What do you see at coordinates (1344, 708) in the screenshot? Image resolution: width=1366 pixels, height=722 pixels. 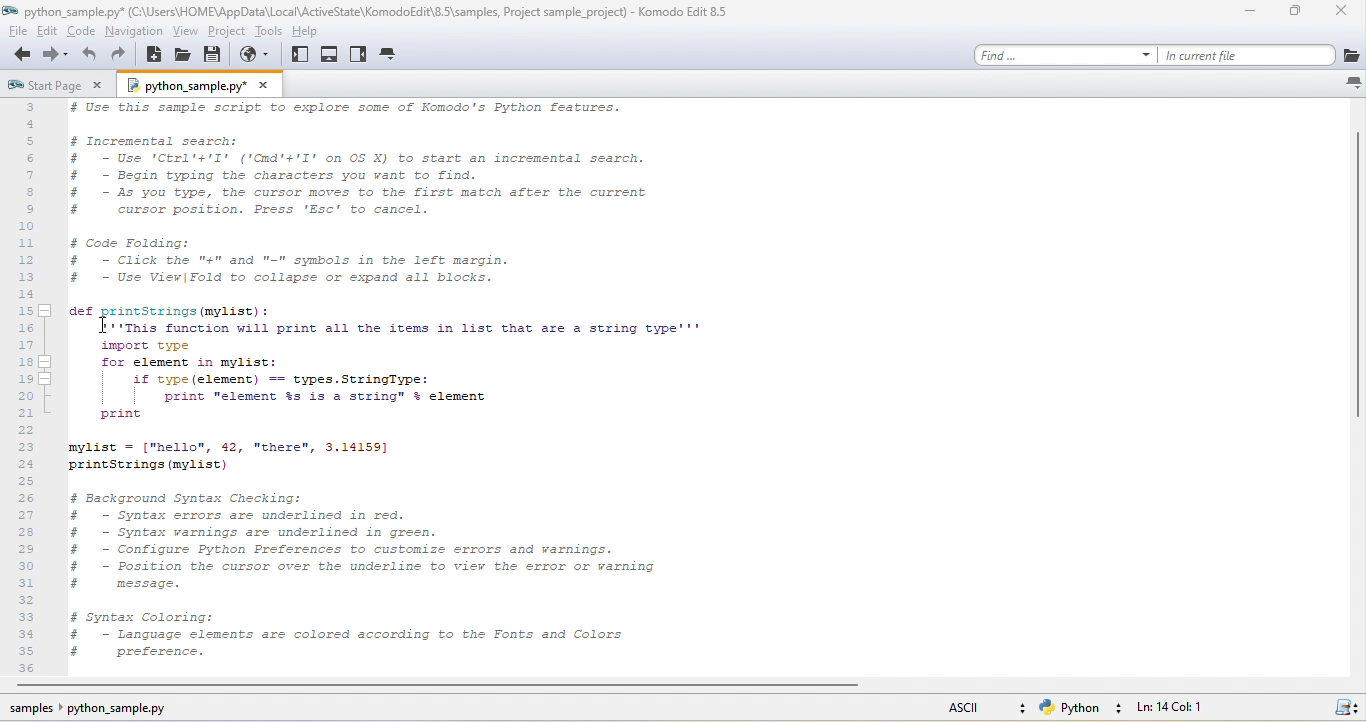 I see `save` at bounding box center [1344, 708].